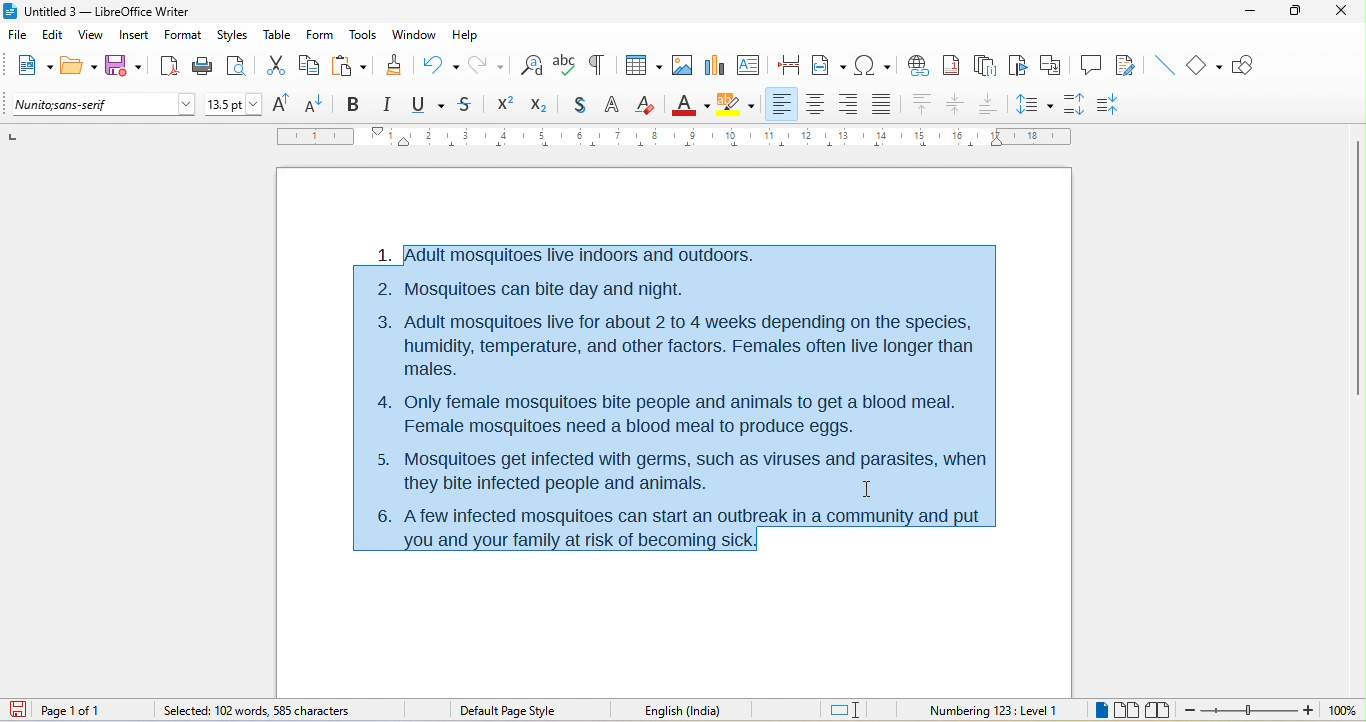 The height and width of the screenshot is (722, 1366). I want to click on underline, so click(429, 105).